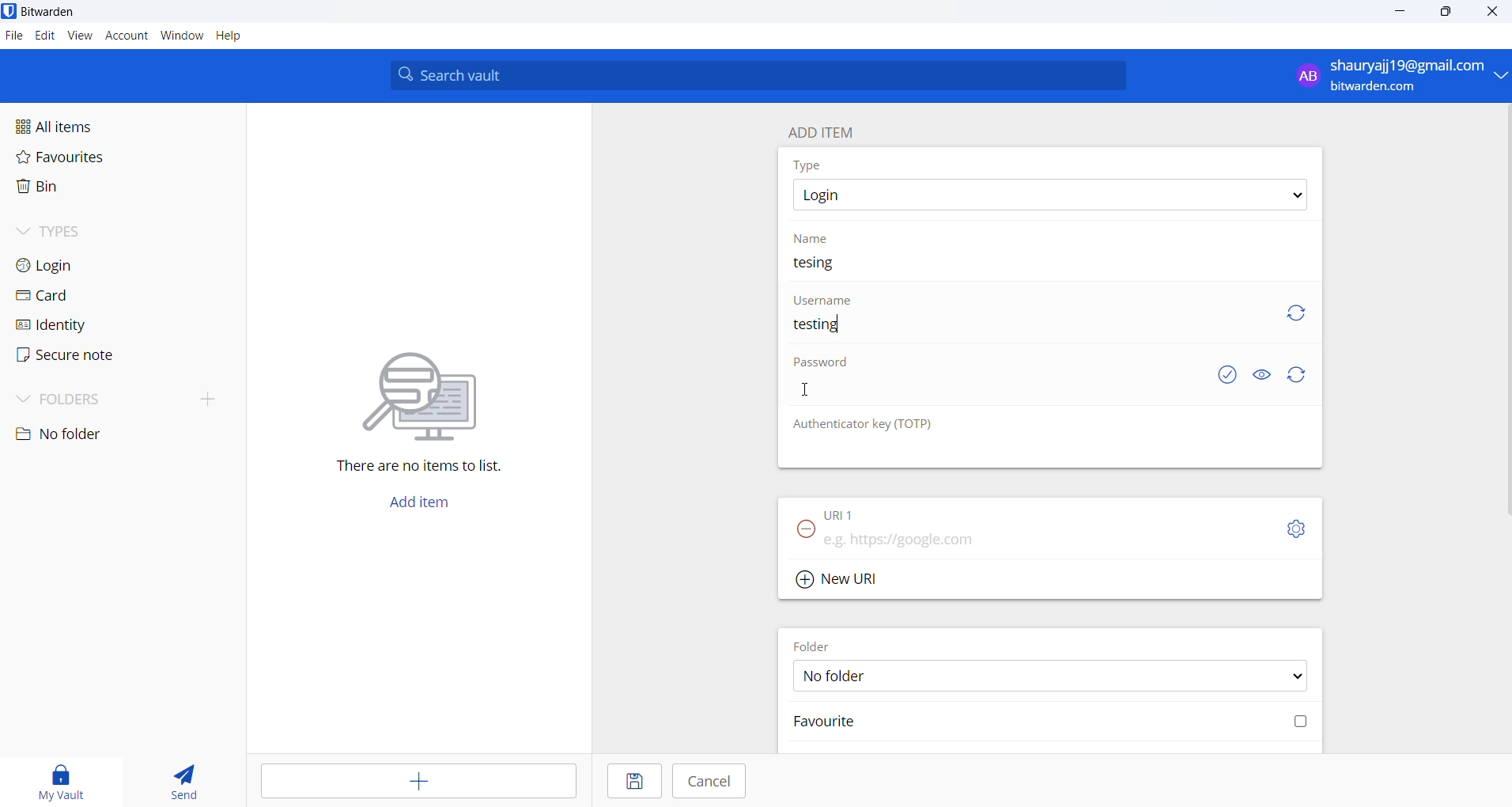 This screenshot has height=807, width=1512. What do you see at coordinates (824, 263) in the screenshot?
I see `entered entry name` at bounding box center [824, 263].